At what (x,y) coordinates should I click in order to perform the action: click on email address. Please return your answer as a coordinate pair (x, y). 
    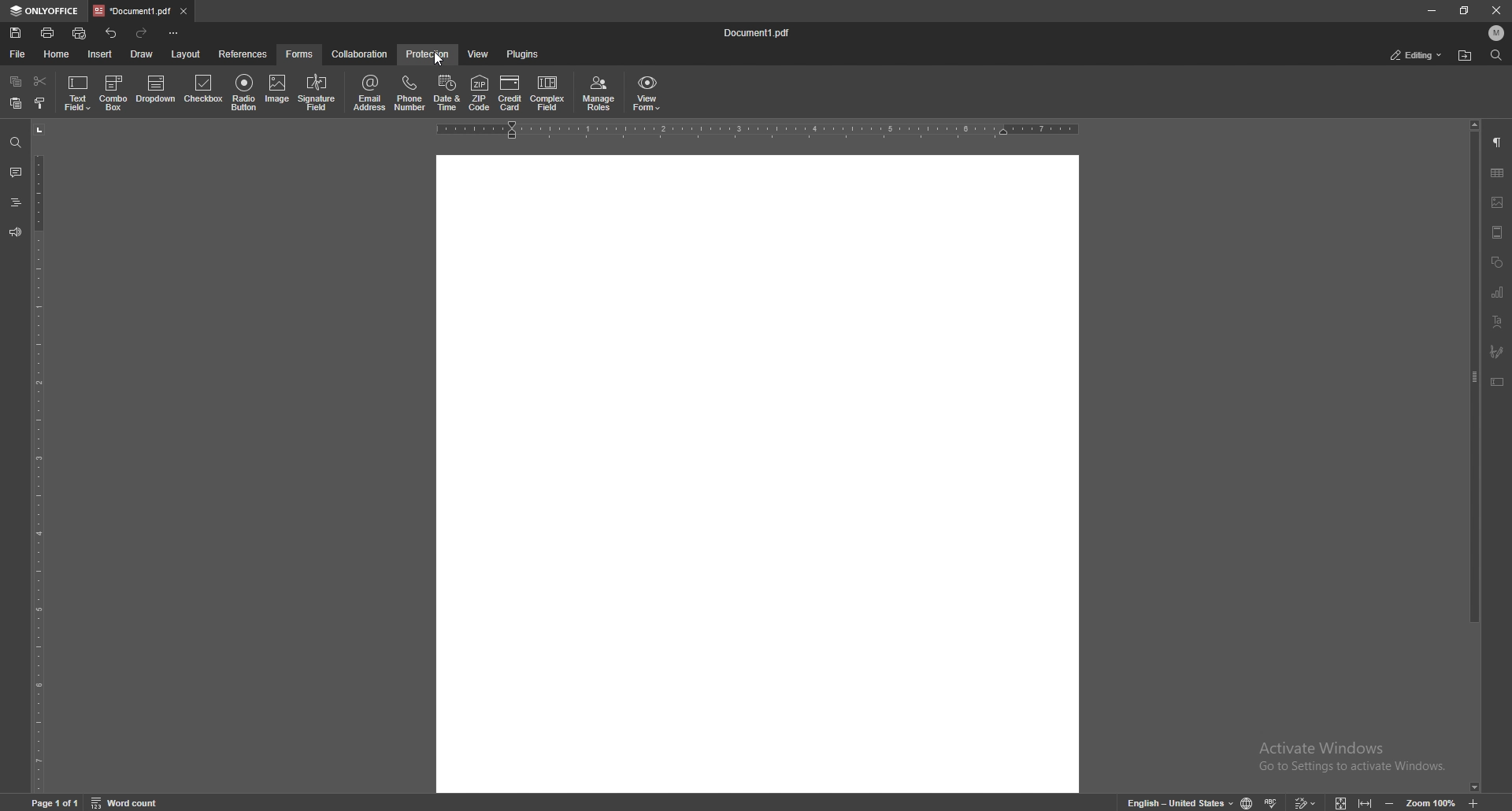
    Looking at the image, I should click on (370, 93).